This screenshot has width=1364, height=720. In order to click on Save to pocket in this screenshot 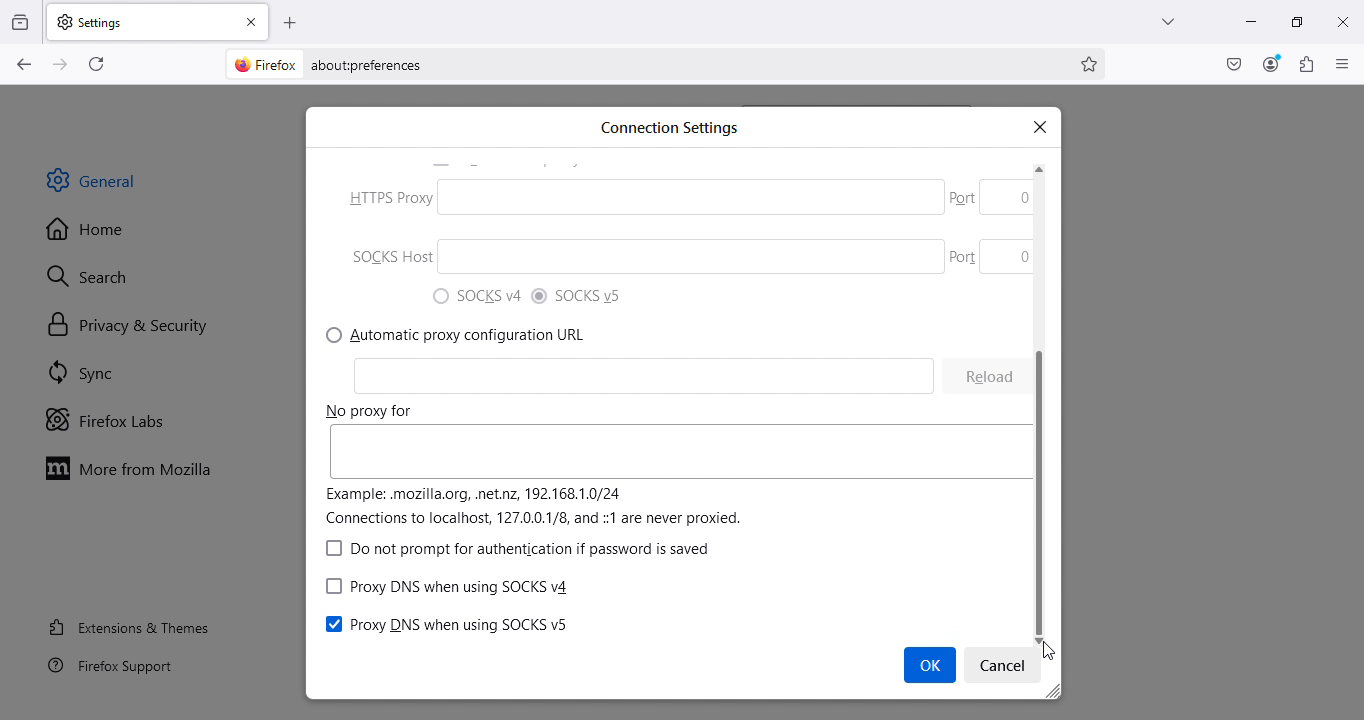, I will do `click(1235, 64)`.